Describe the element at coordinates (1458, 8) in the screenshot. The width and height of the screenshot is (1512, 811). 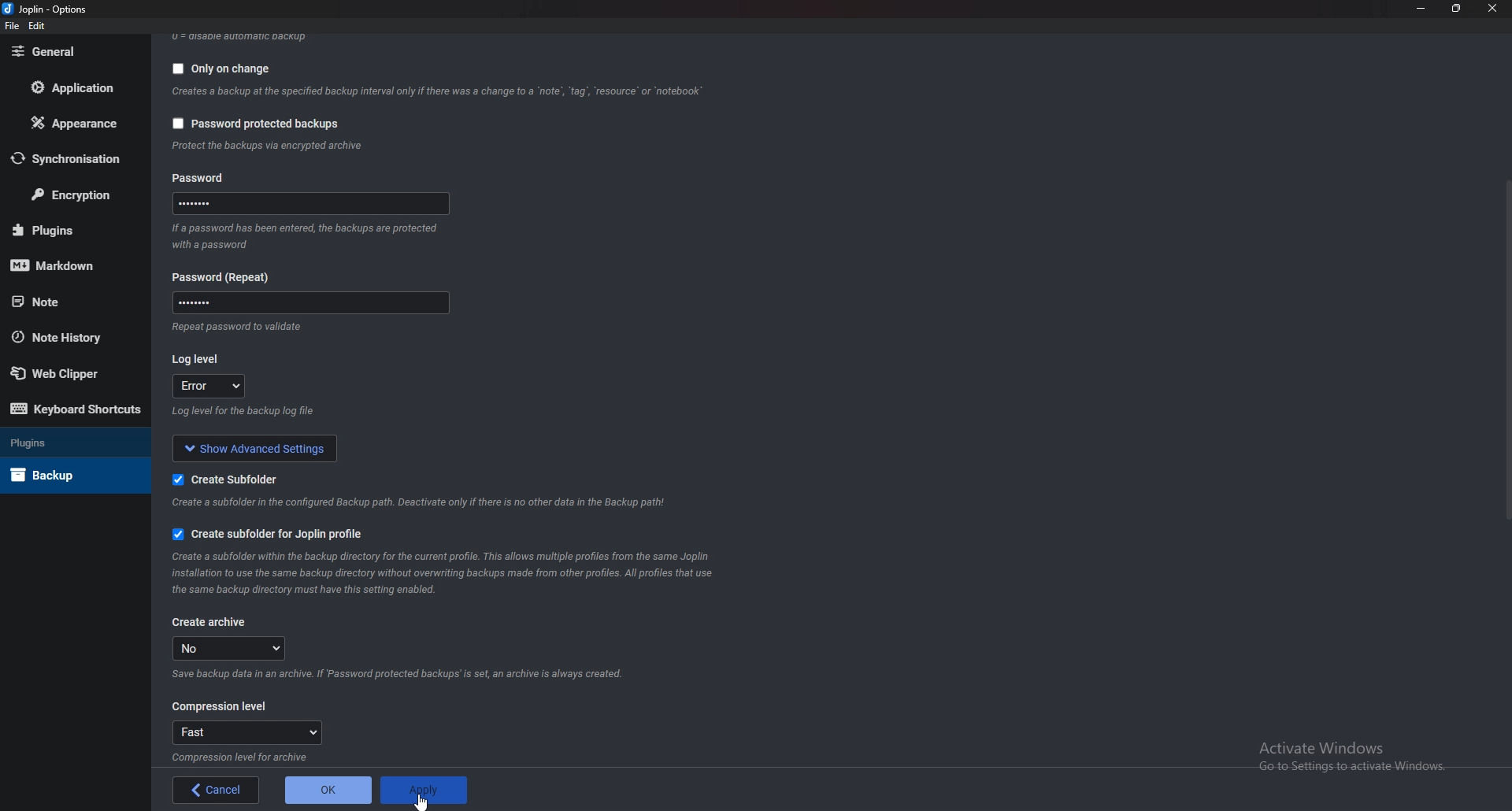
I see `Resize` at that location.